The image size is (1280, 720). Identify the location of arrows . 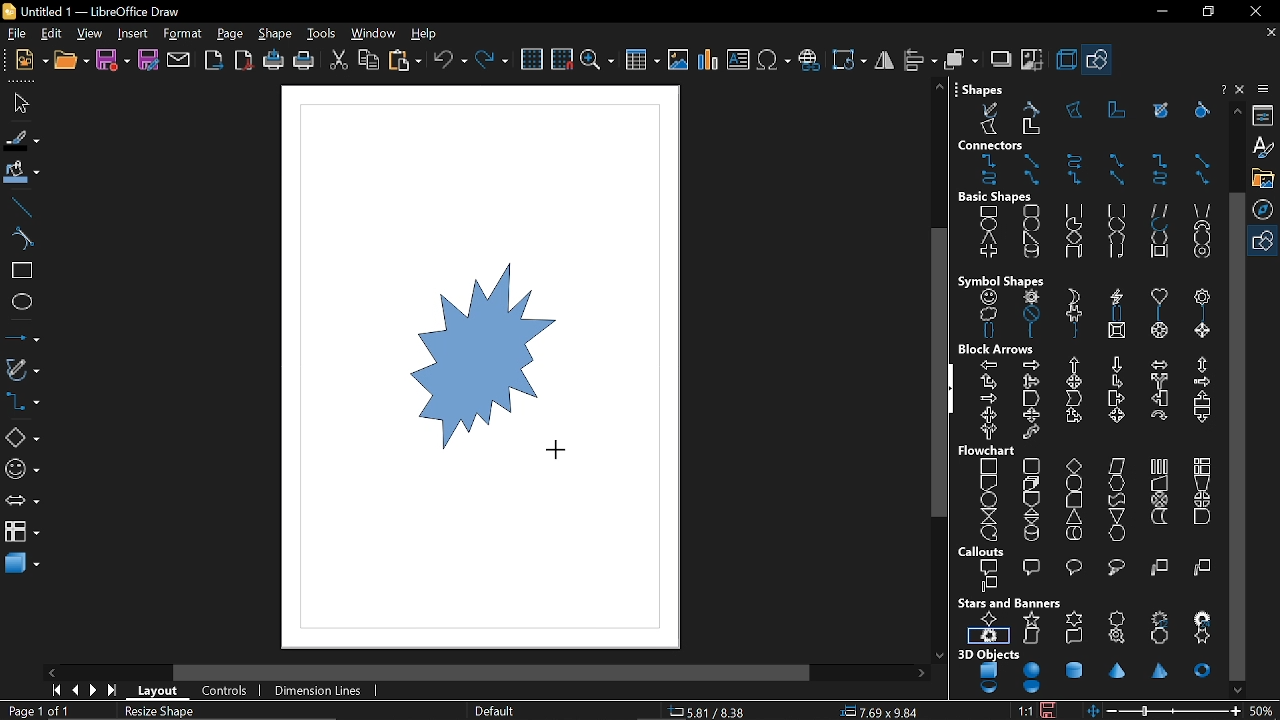
(20, 503).